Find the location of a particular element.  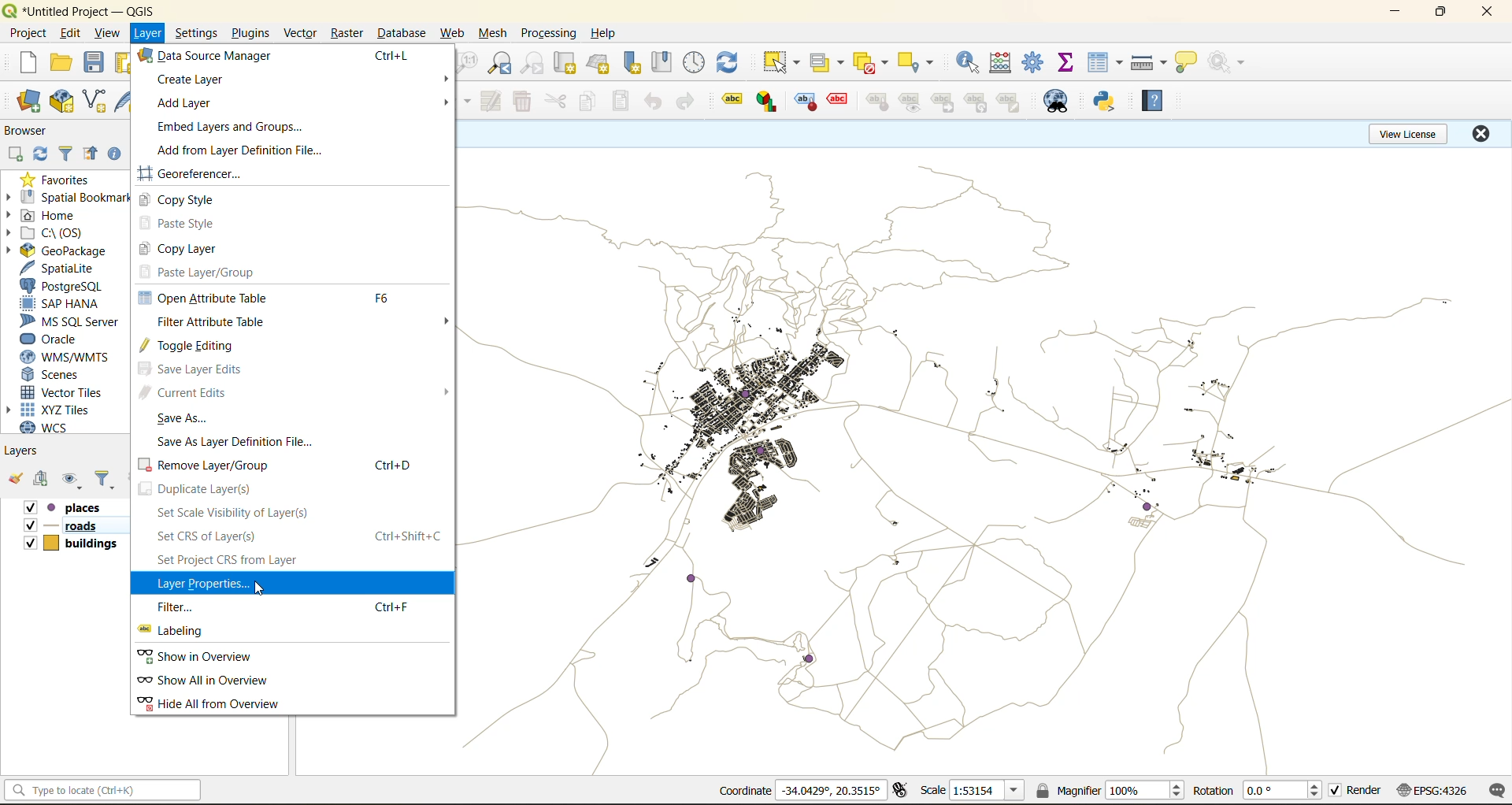

control  panel  is located at coordinates (692, 61).